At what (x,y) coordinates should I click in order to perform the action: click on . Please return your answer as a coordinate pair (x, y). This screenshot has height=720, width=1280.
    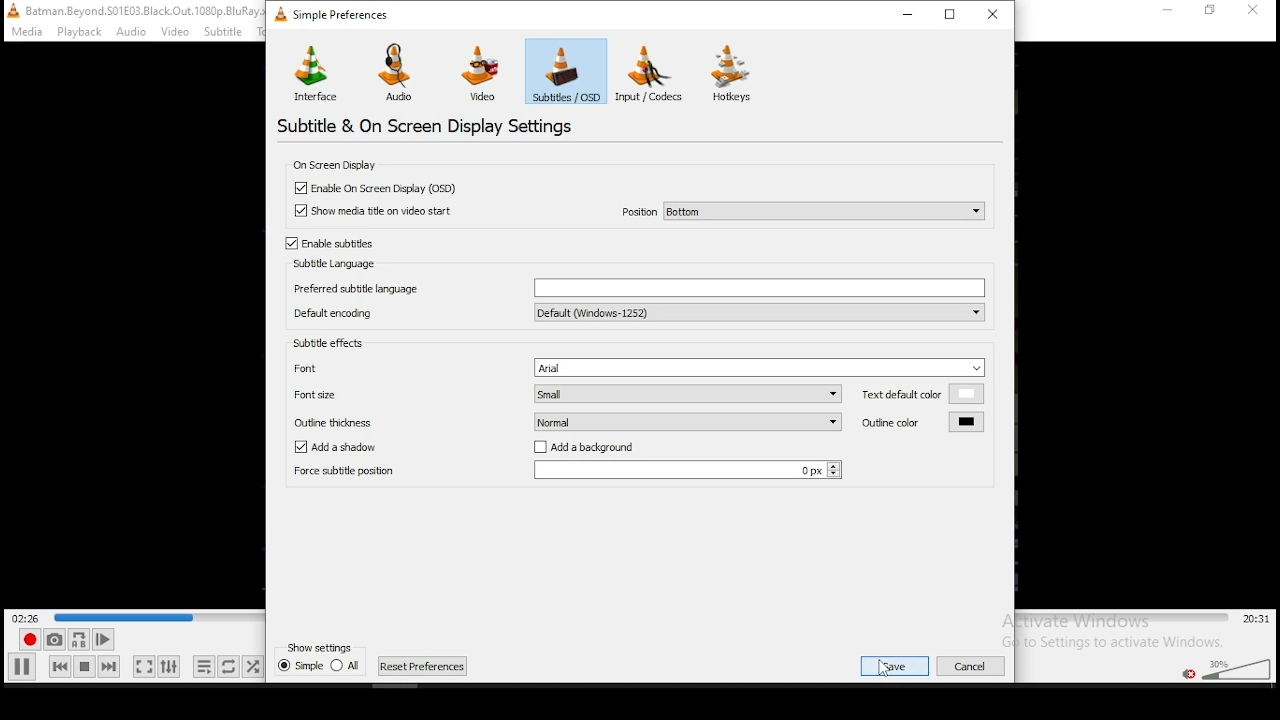
    Looking at the image, I should click on (119, 614).